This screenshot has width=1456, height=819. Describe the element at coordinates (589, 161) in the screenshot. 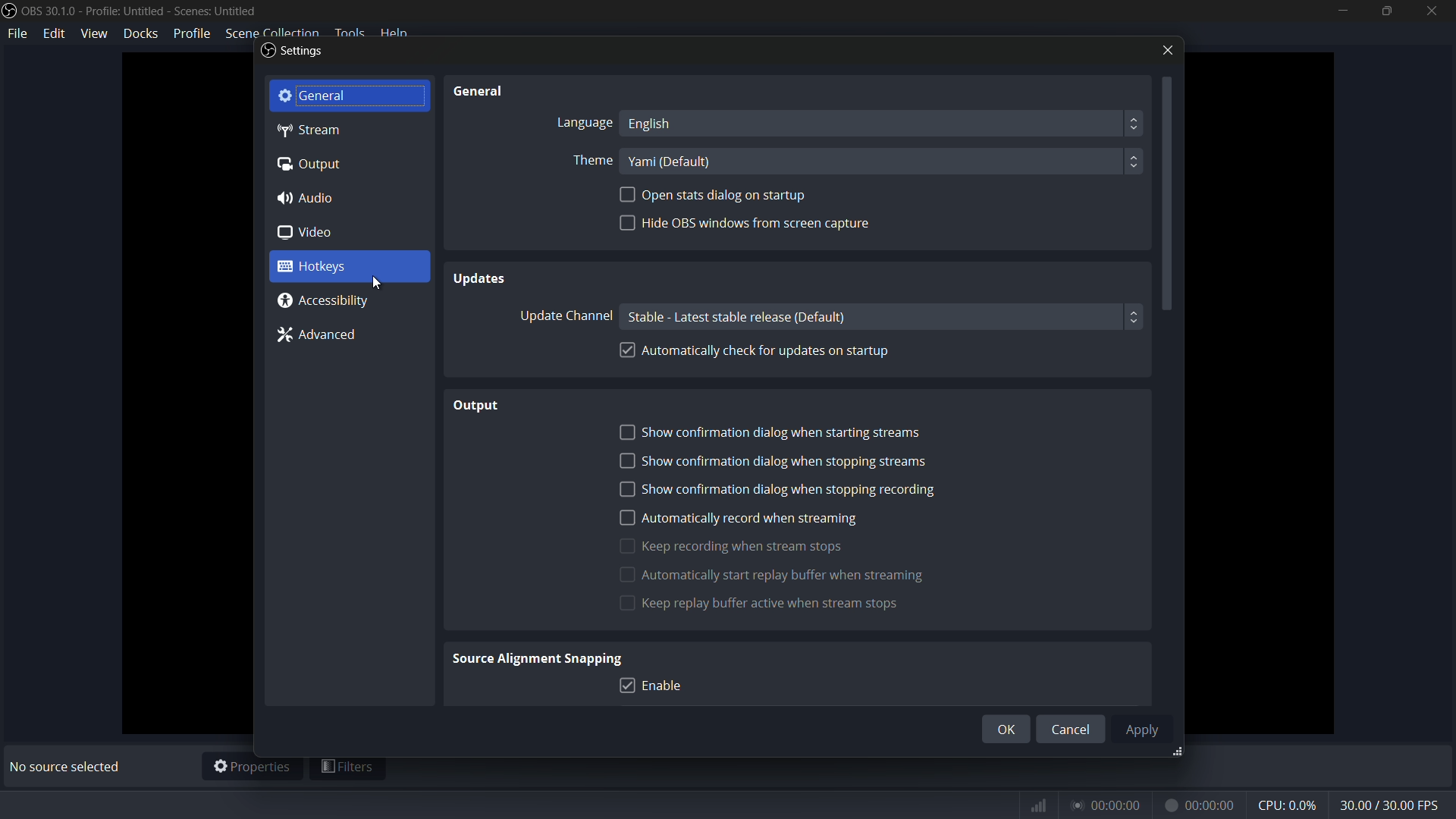

I see `Theme` at that location.